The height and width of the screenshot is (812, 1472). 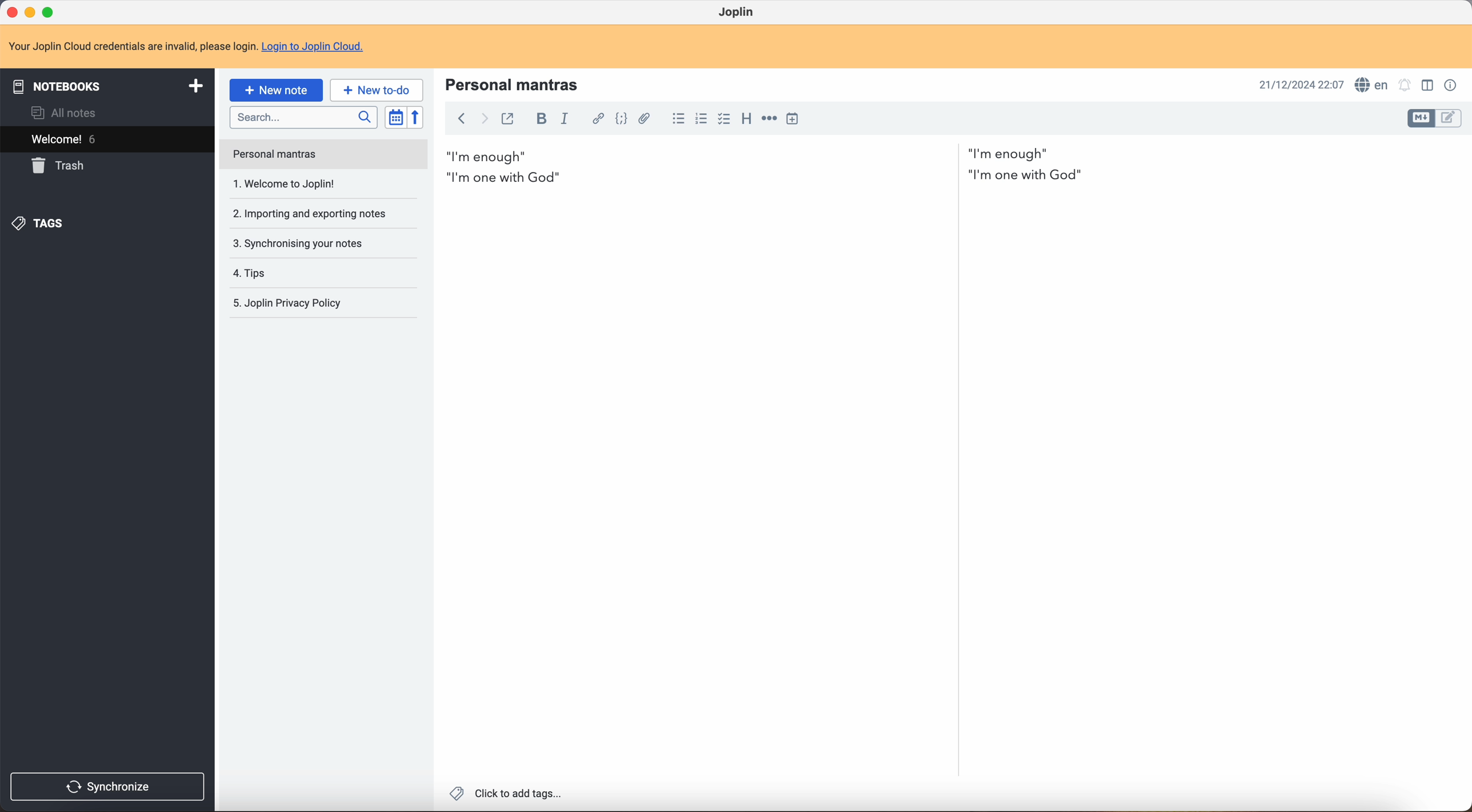 I want to click on maximize program, so click(x=50, y=11).